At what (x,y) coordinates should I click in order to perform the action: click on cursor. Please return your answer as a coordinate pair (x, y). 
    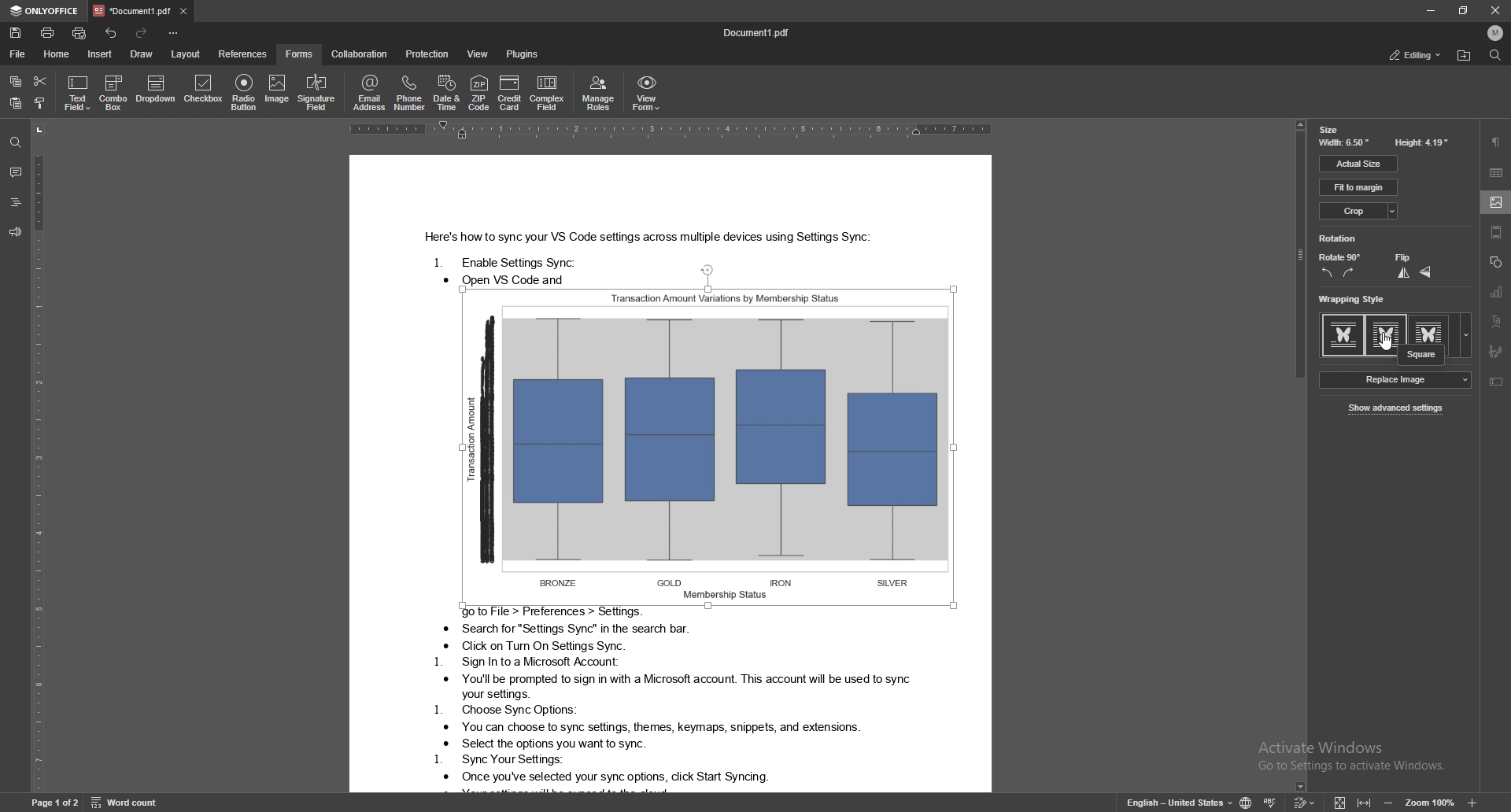
    Looking at the image, I should click on (1387, 341).